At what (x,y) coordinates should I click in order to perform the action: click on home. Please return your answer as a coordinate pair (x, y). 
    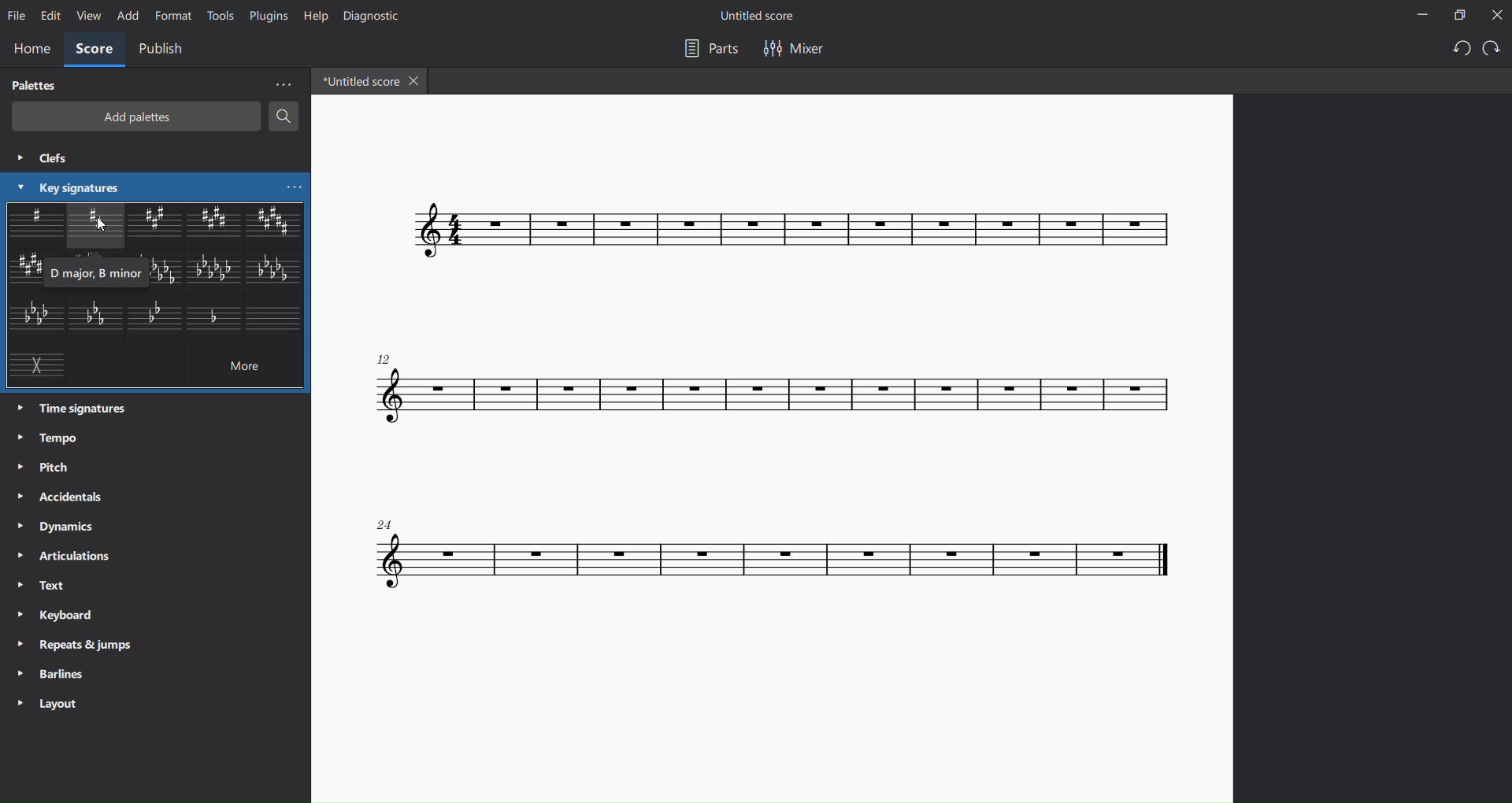
    Looking at the image, I should click on (30, 48).